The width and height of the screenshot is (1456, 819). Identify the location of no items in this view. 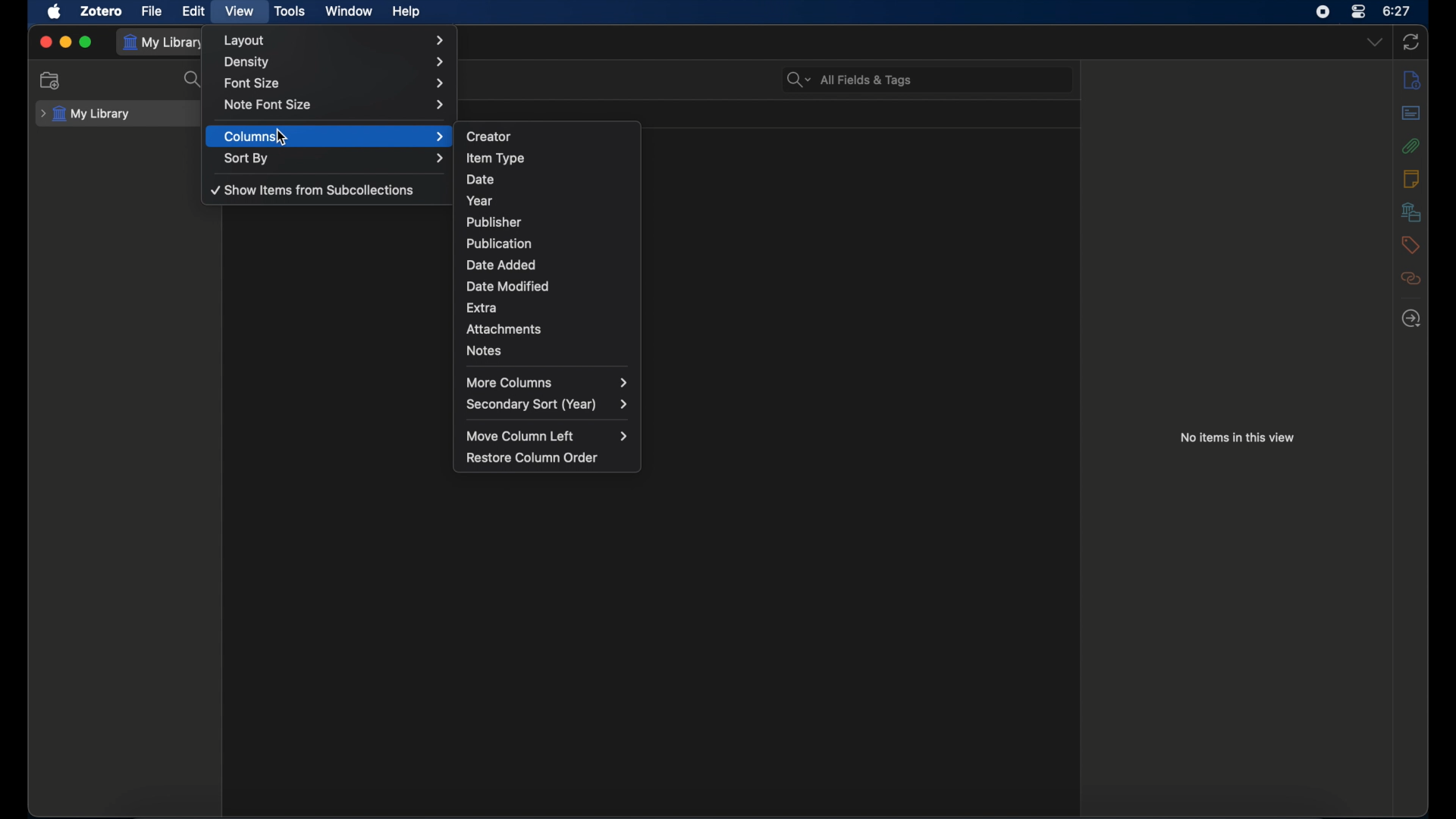
(1241, 437).